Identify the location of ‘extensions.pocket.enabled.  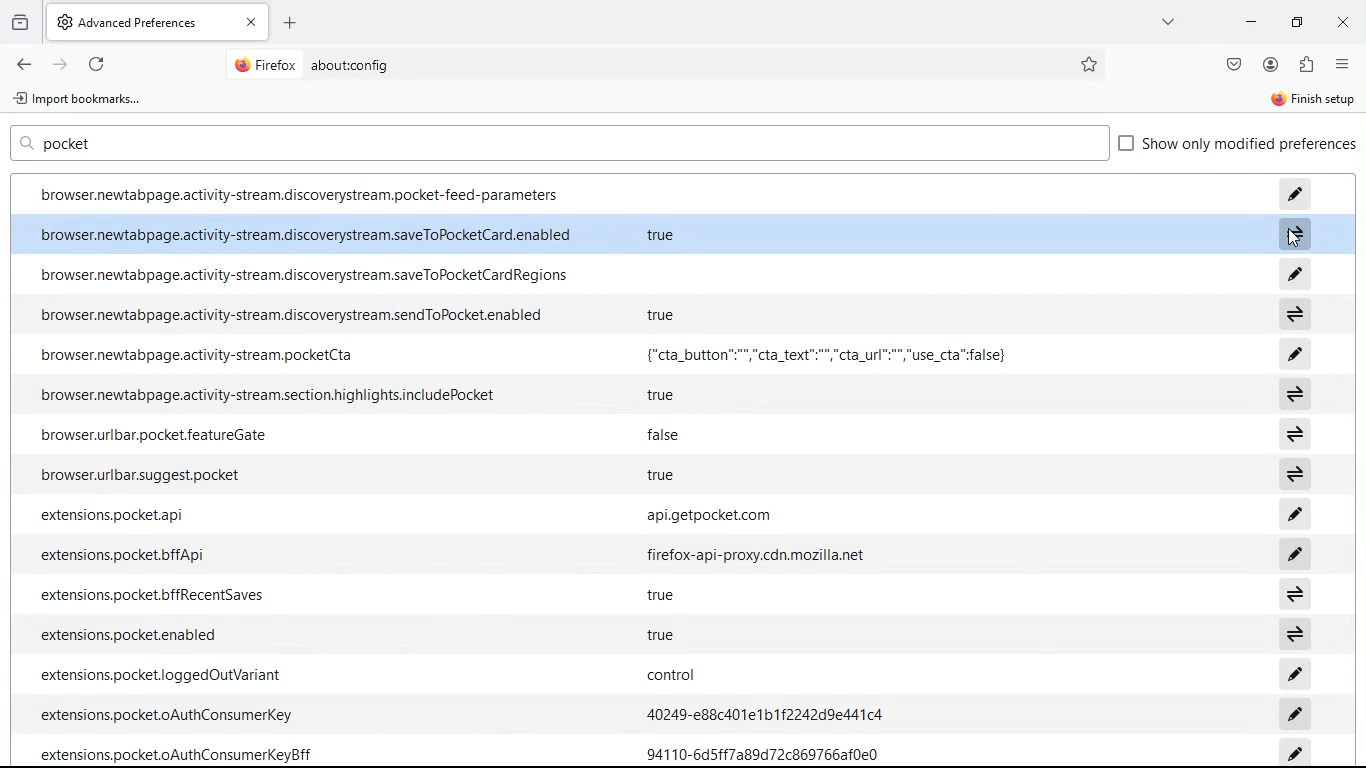
(132, 634).